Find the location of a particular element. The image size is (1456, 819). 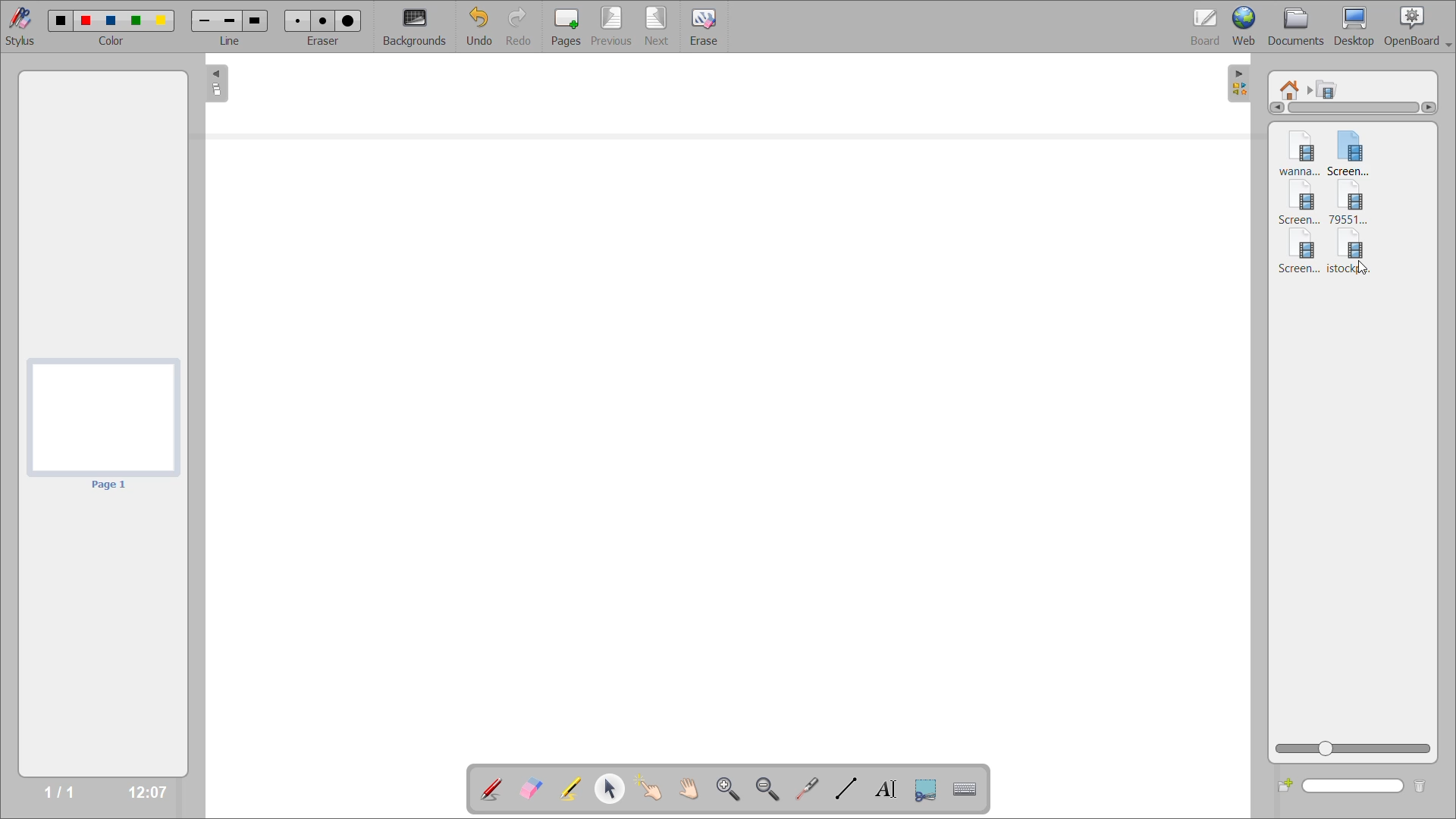

board is located at coordinates (1200, 24).